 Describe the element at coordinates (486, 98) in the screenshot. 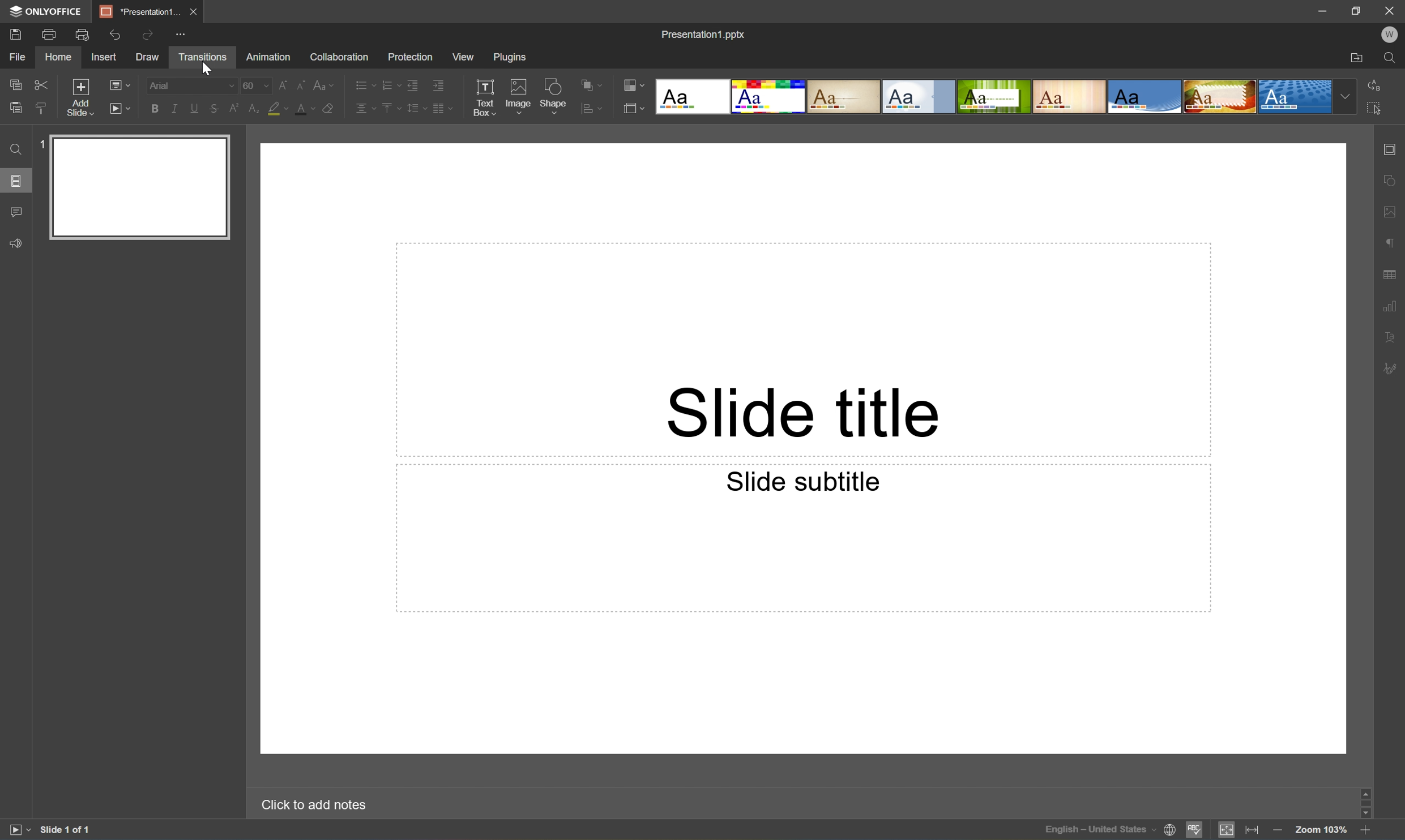

I see `Text Box` at that location.